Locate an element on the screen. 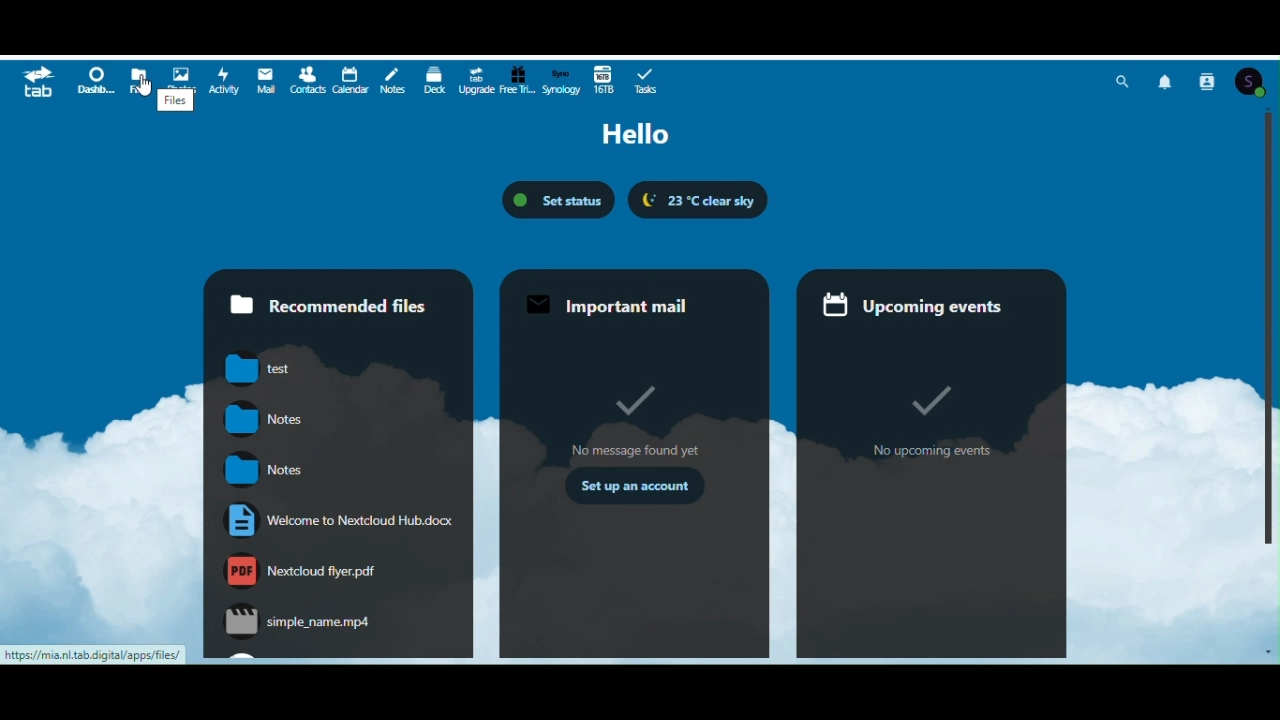  https://mia.nl.tab digital/apps/files/ is located at coordinates (95, 655).